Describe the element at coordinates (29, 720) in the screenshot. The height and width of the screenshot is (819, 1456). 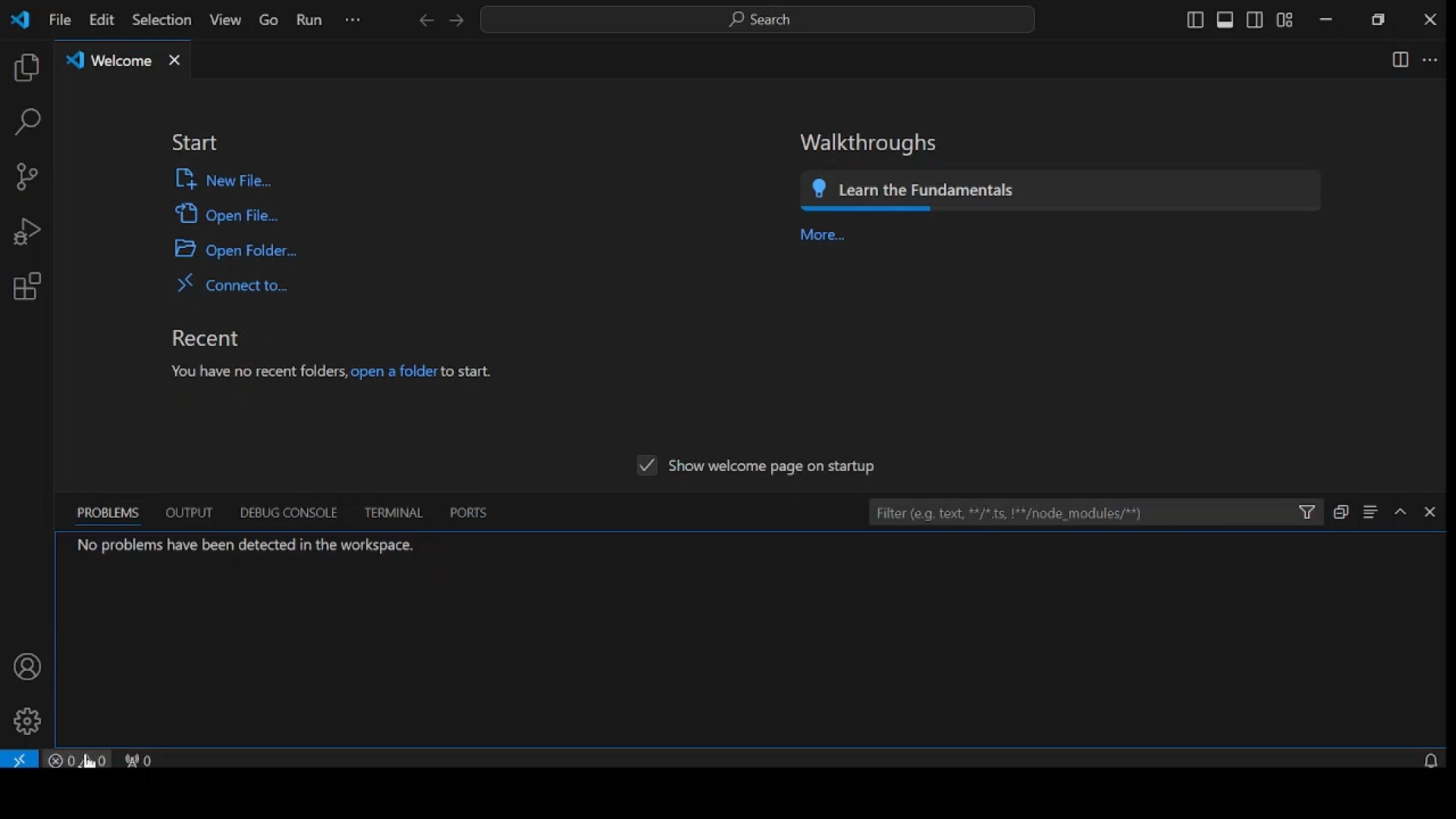
I see `settings` at that location.